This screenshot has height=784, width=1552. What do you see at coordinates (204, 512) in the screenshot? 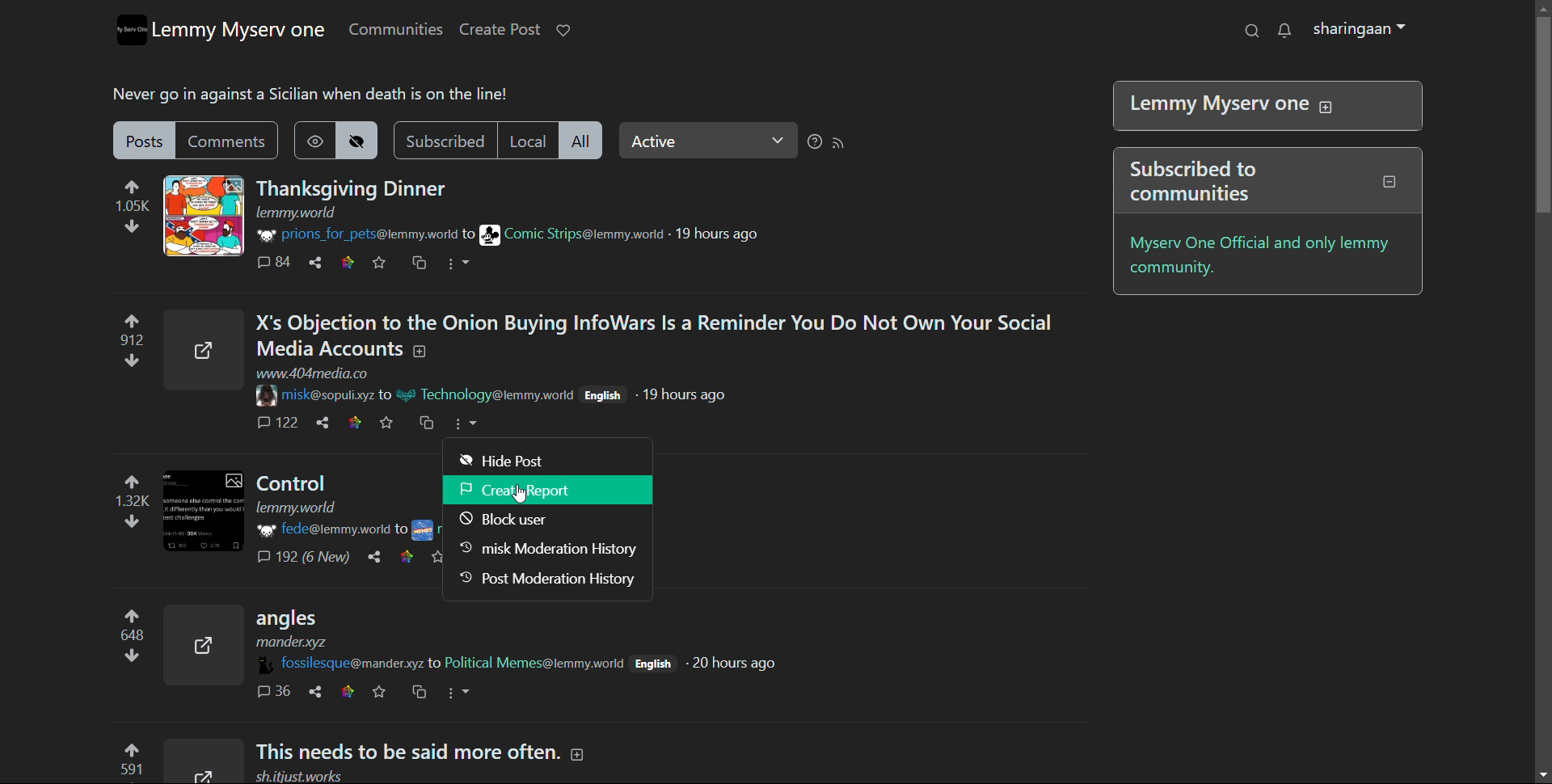
I see `Expand here with this image` at bounding box center [204, 512].